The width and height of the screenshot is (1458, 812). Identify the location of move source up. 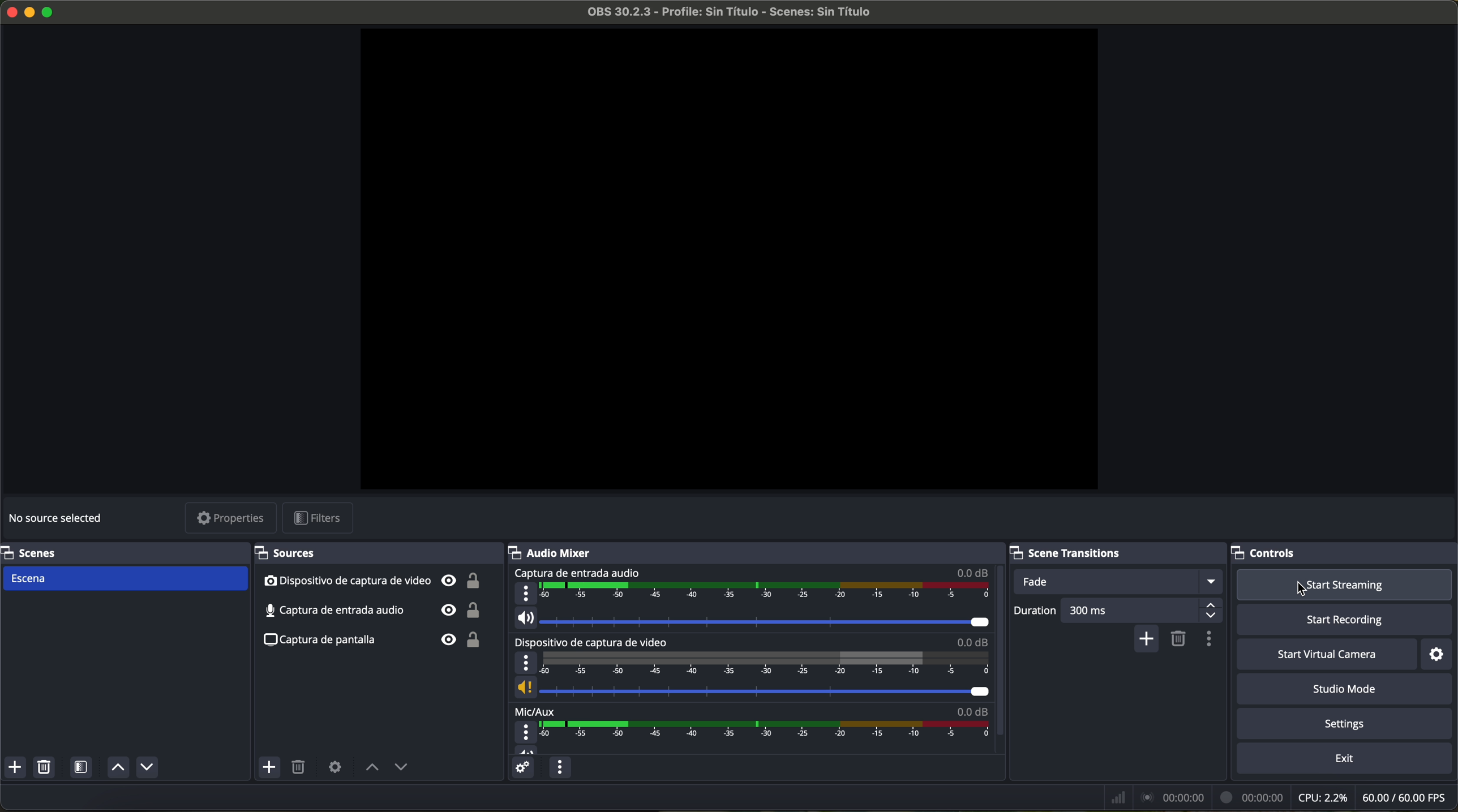
(372, 768).